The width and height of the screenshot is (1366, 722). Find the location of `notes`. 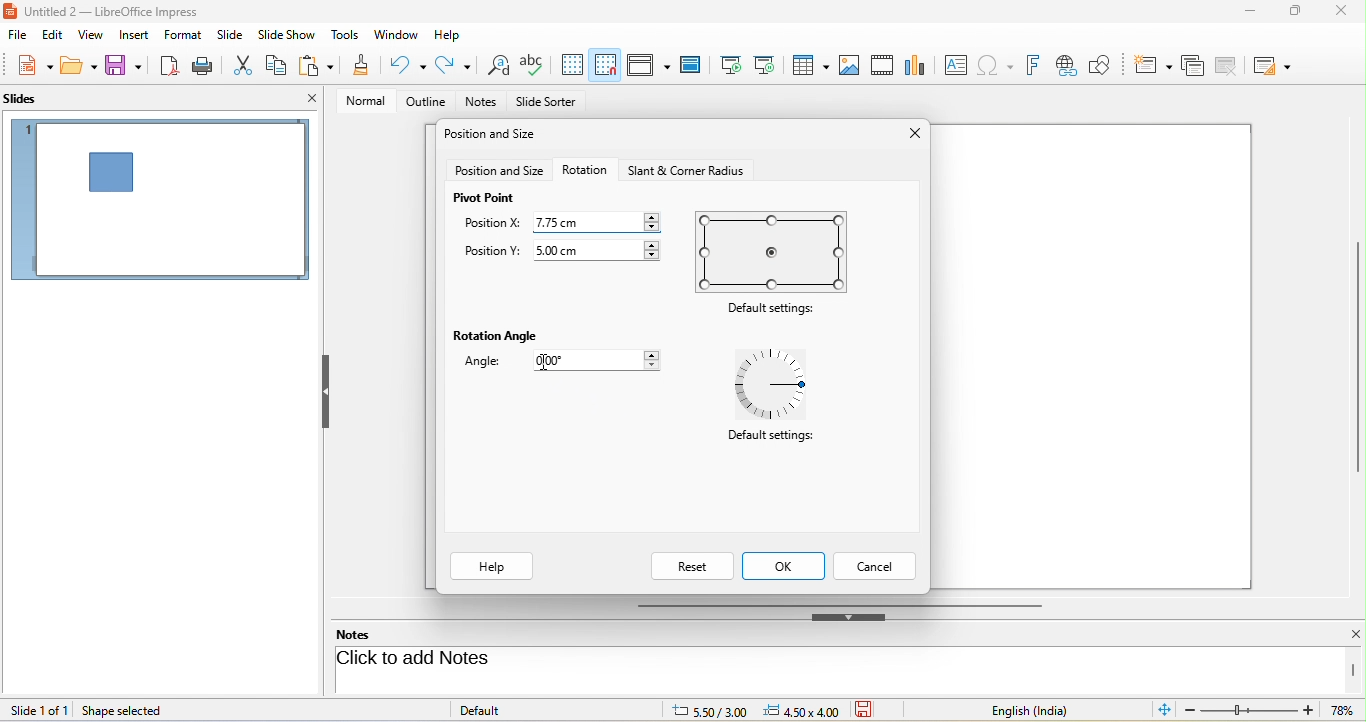

notes is located at coordinates (483, 103).